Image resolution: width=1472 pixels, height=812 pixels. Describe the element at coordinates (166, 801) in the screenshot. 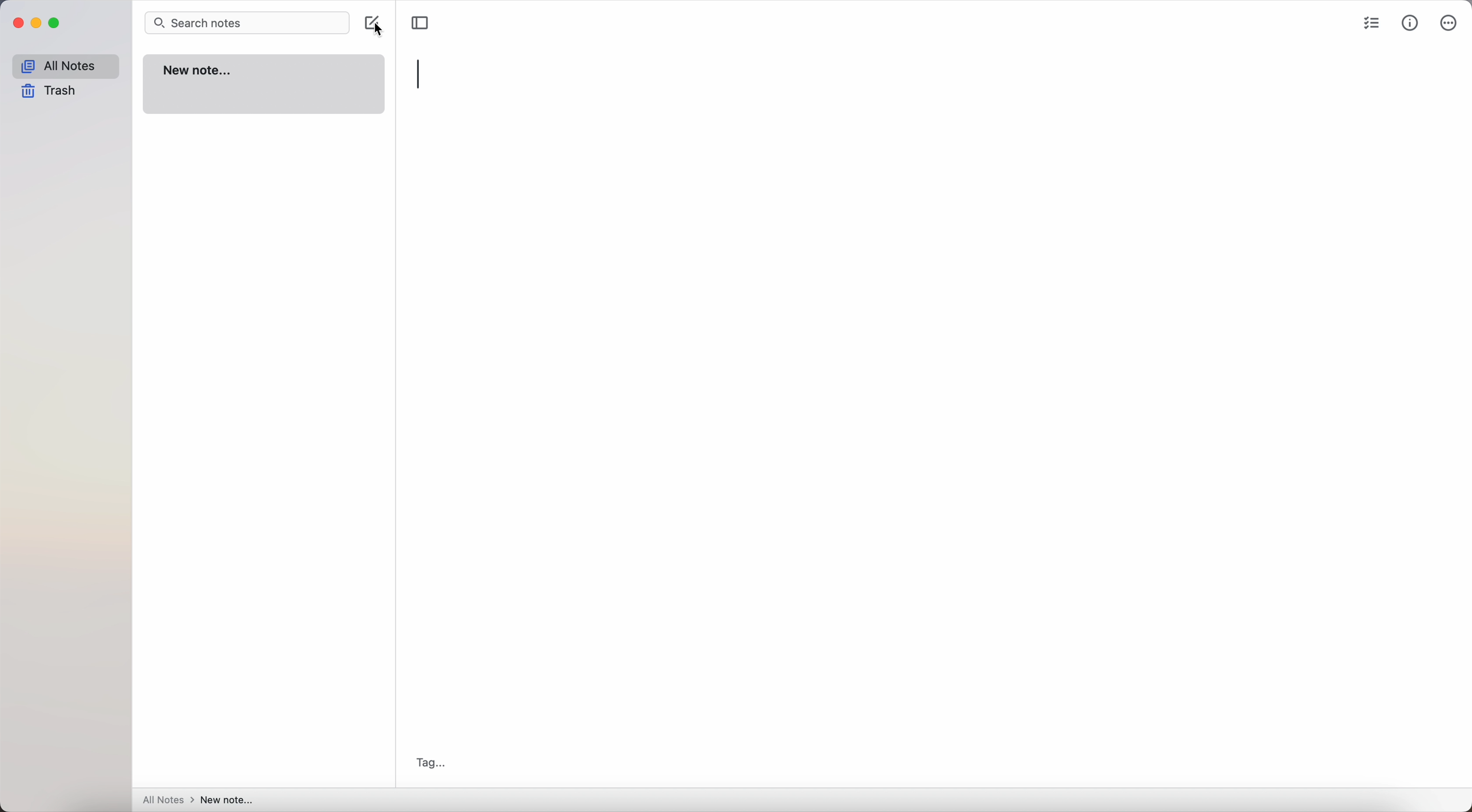

I see `all notes` at that location.